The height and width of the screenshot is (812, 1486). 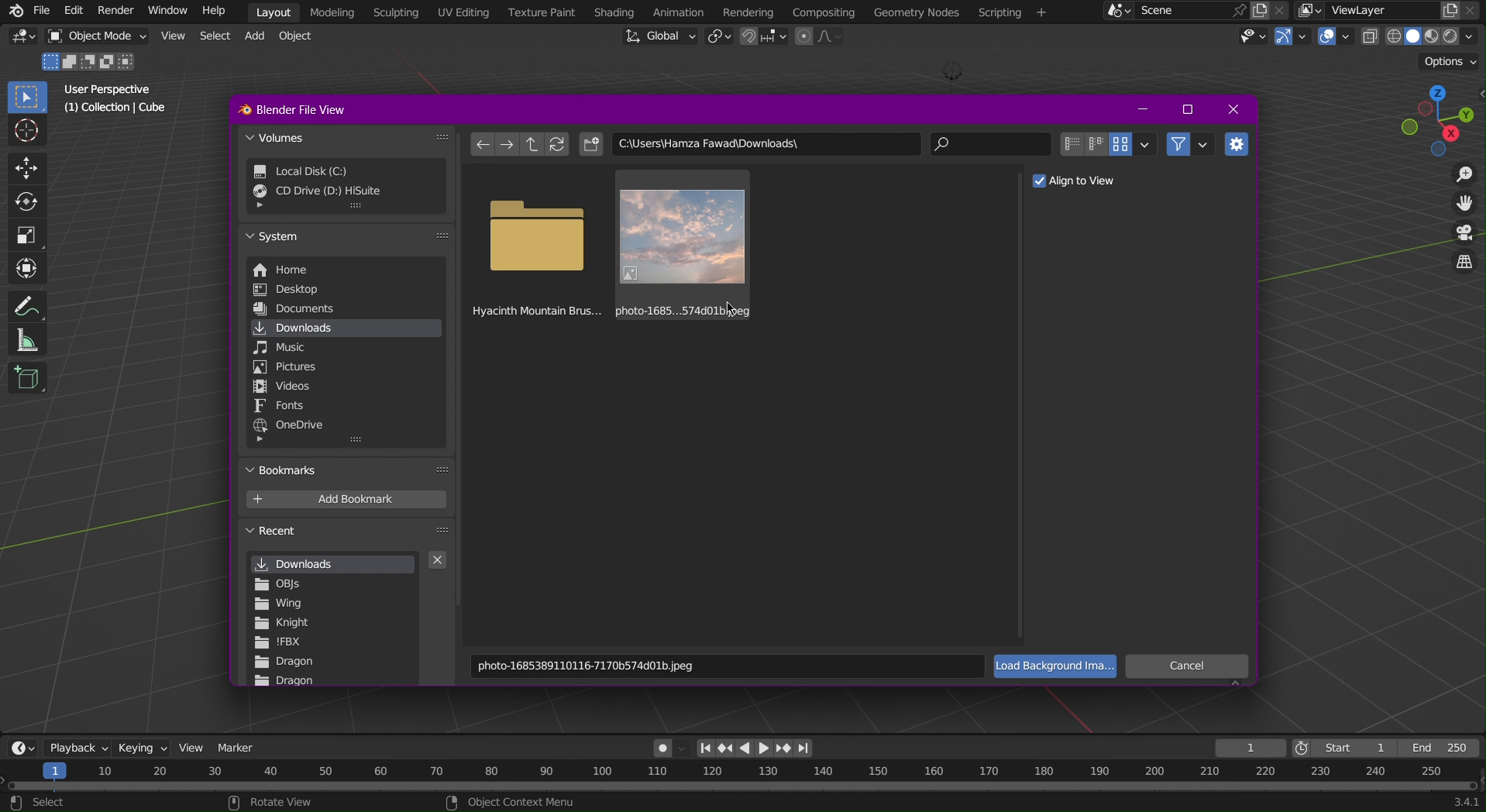 I want to click on Videos, so click(x=287, y=387).